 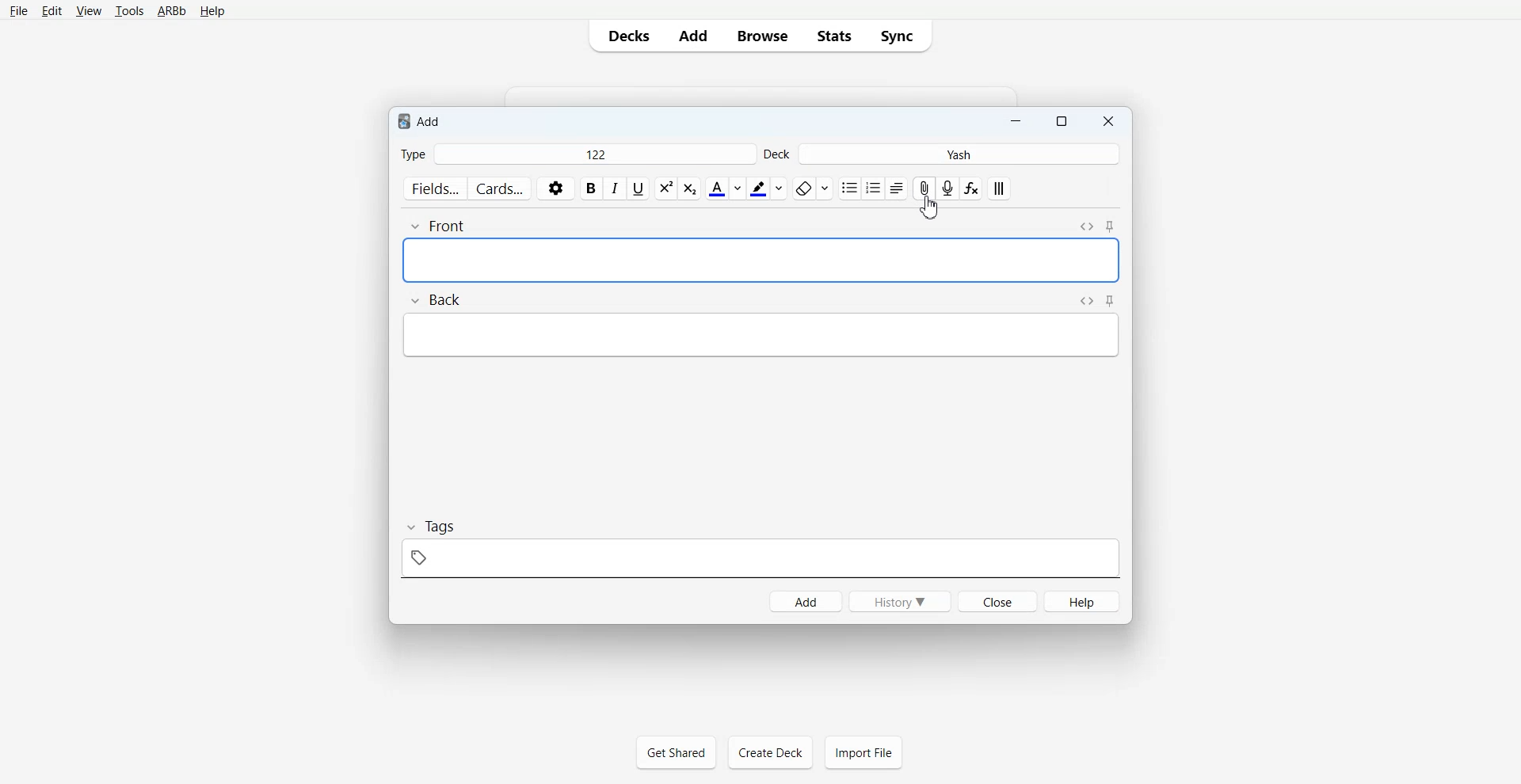 What do you see at coordinates (724, 188) in the screenshot?
I see `Text Color` at bounding box center [724, 188].